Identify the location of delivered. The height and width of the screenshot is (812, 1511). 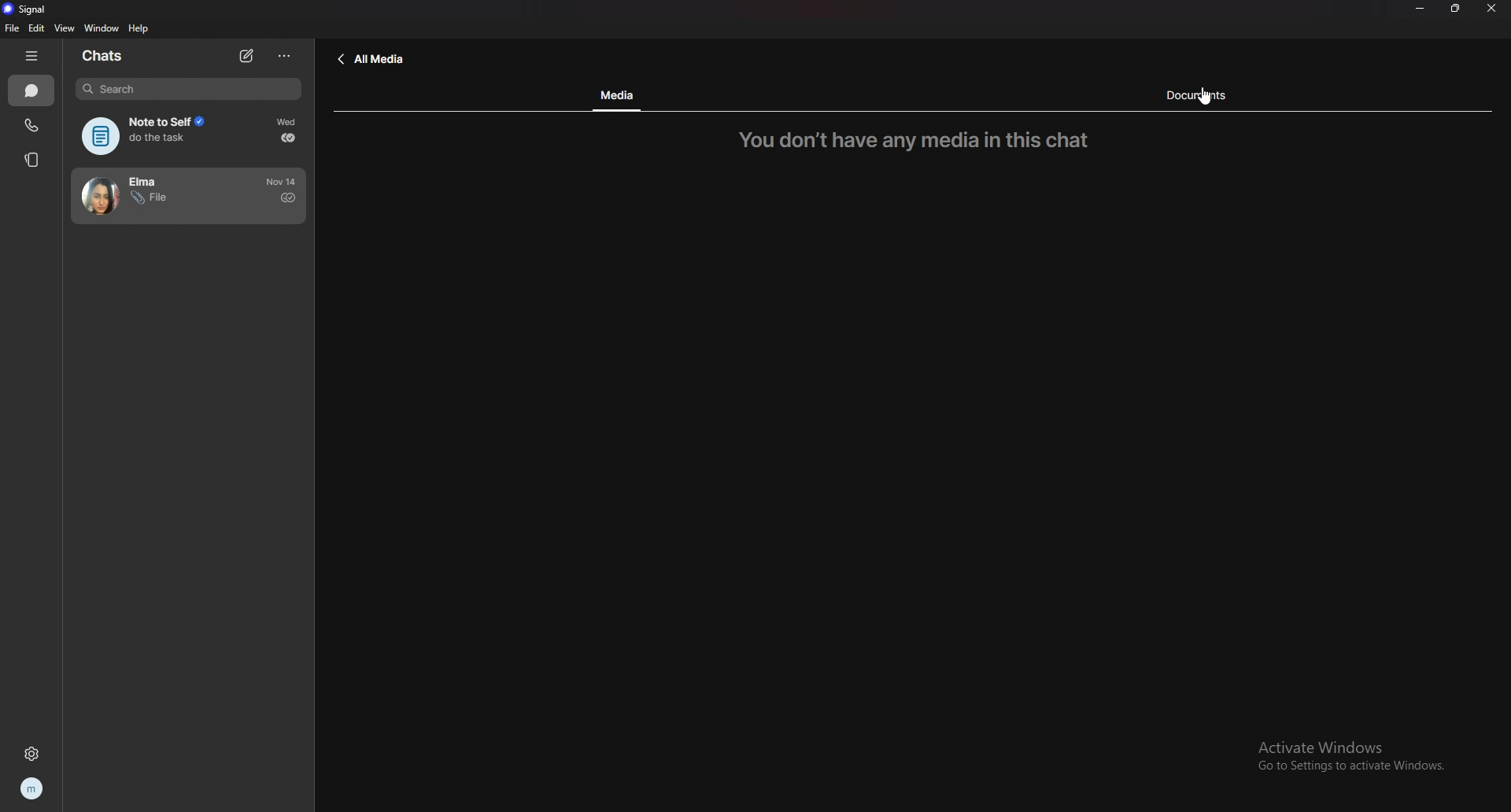
(288, 138).